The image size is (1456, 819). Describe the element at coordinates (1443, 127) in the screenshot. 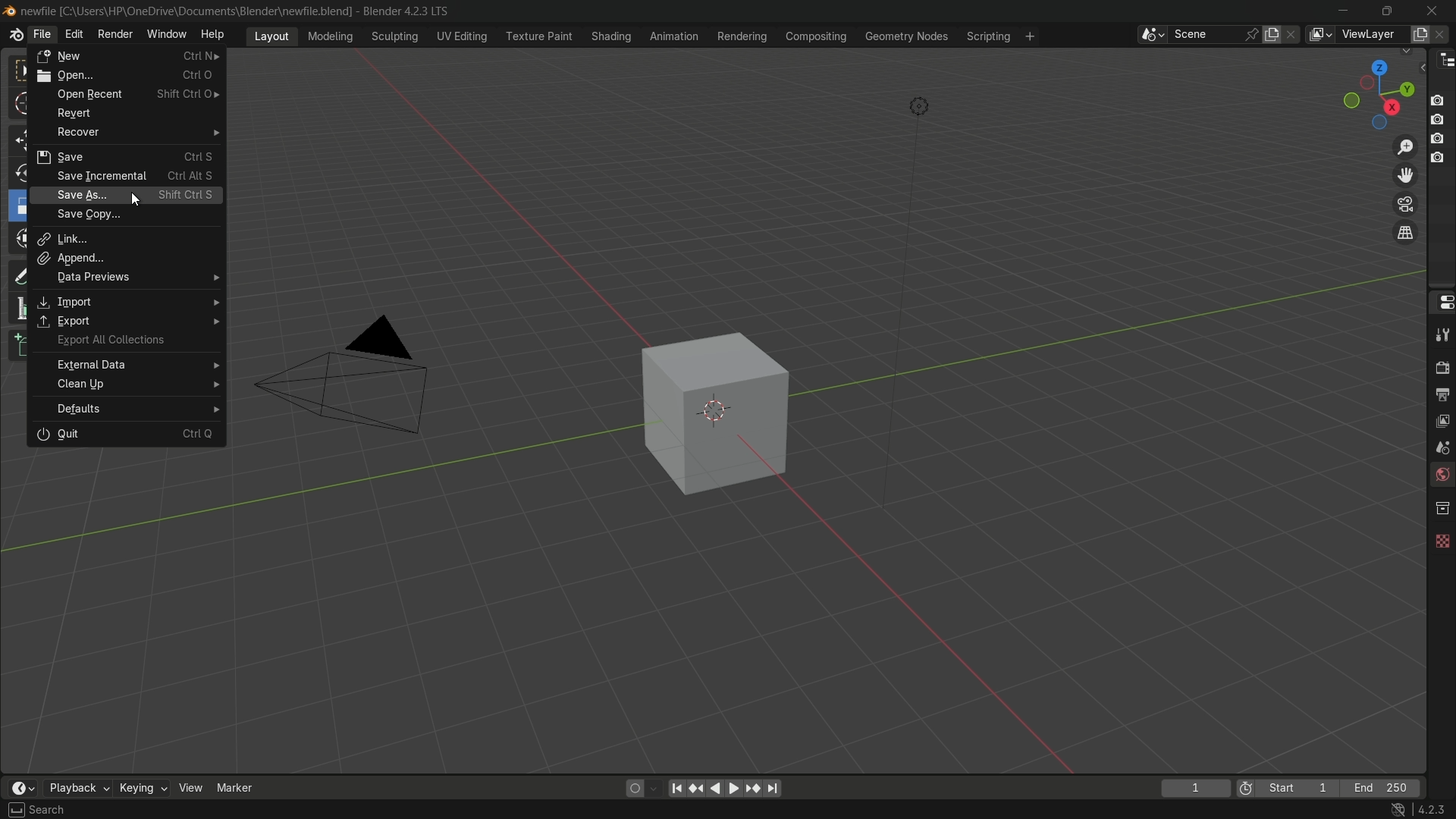

I see `Buttons` at that location.